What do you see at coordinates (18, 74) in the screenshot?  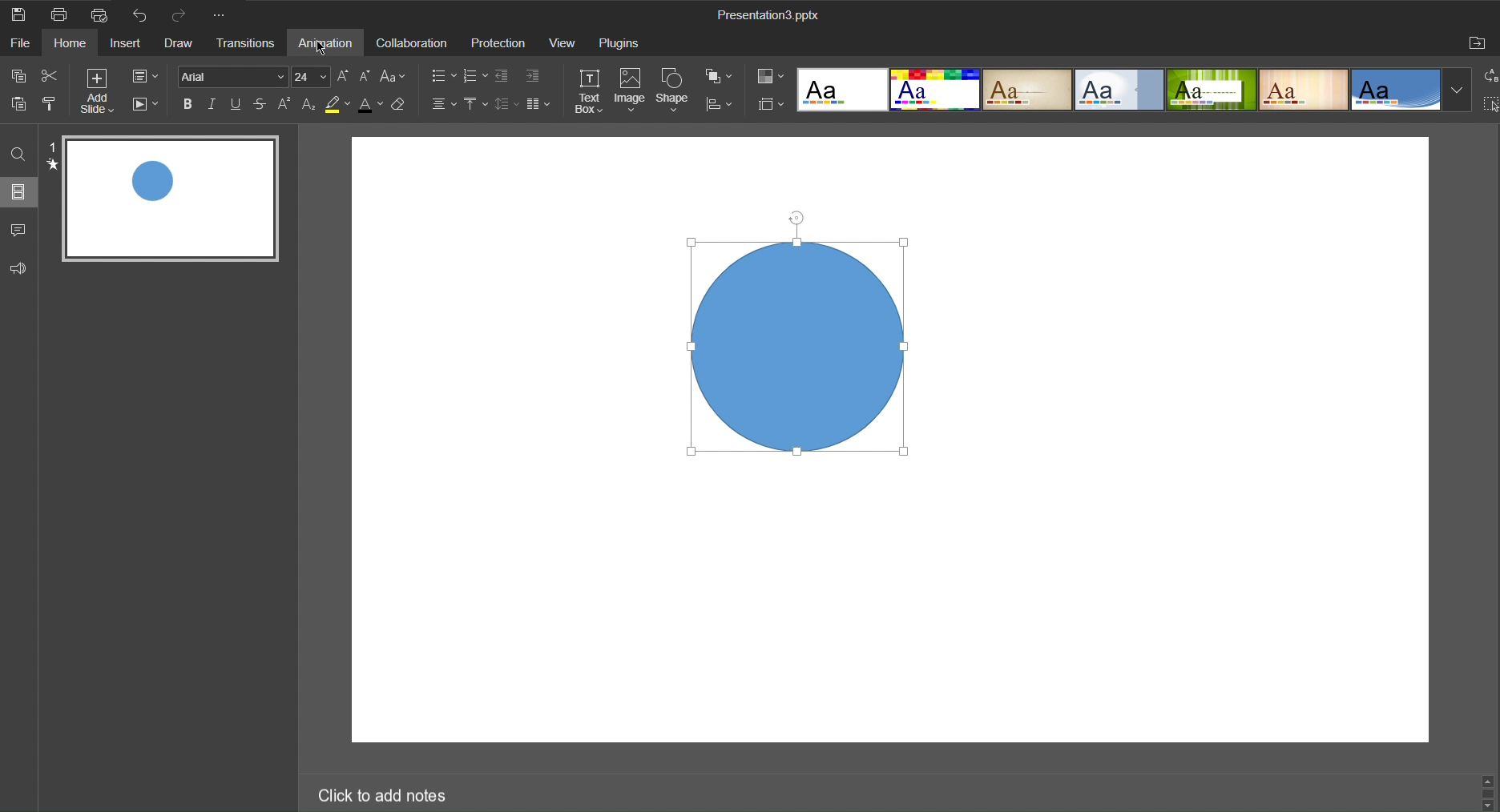 I see `Copy` at bounding box center [18, 74].